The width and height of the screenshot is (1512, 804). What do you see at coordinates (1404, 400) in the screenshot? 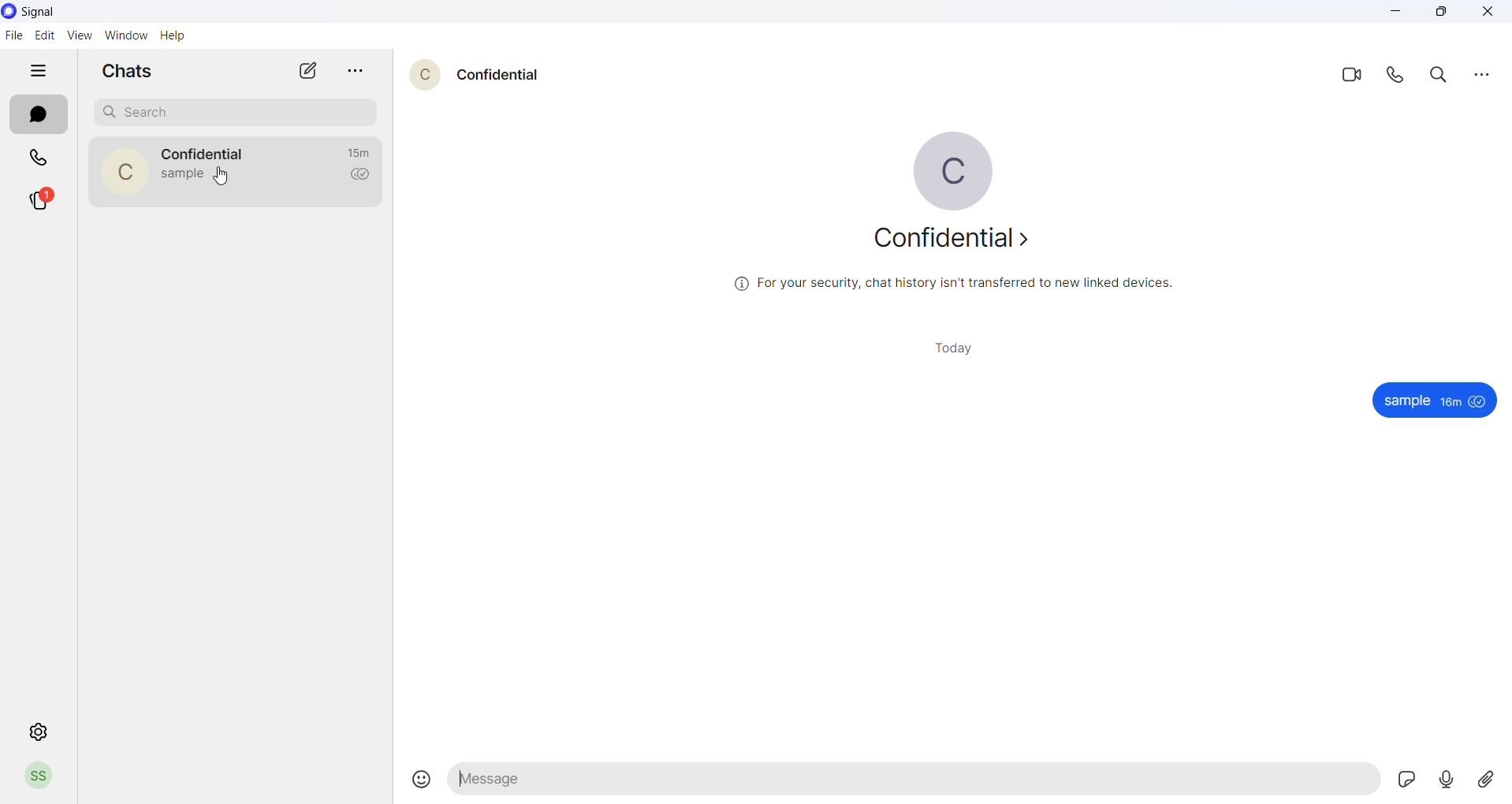
I see `sample` at bounding box center [1404, 400].